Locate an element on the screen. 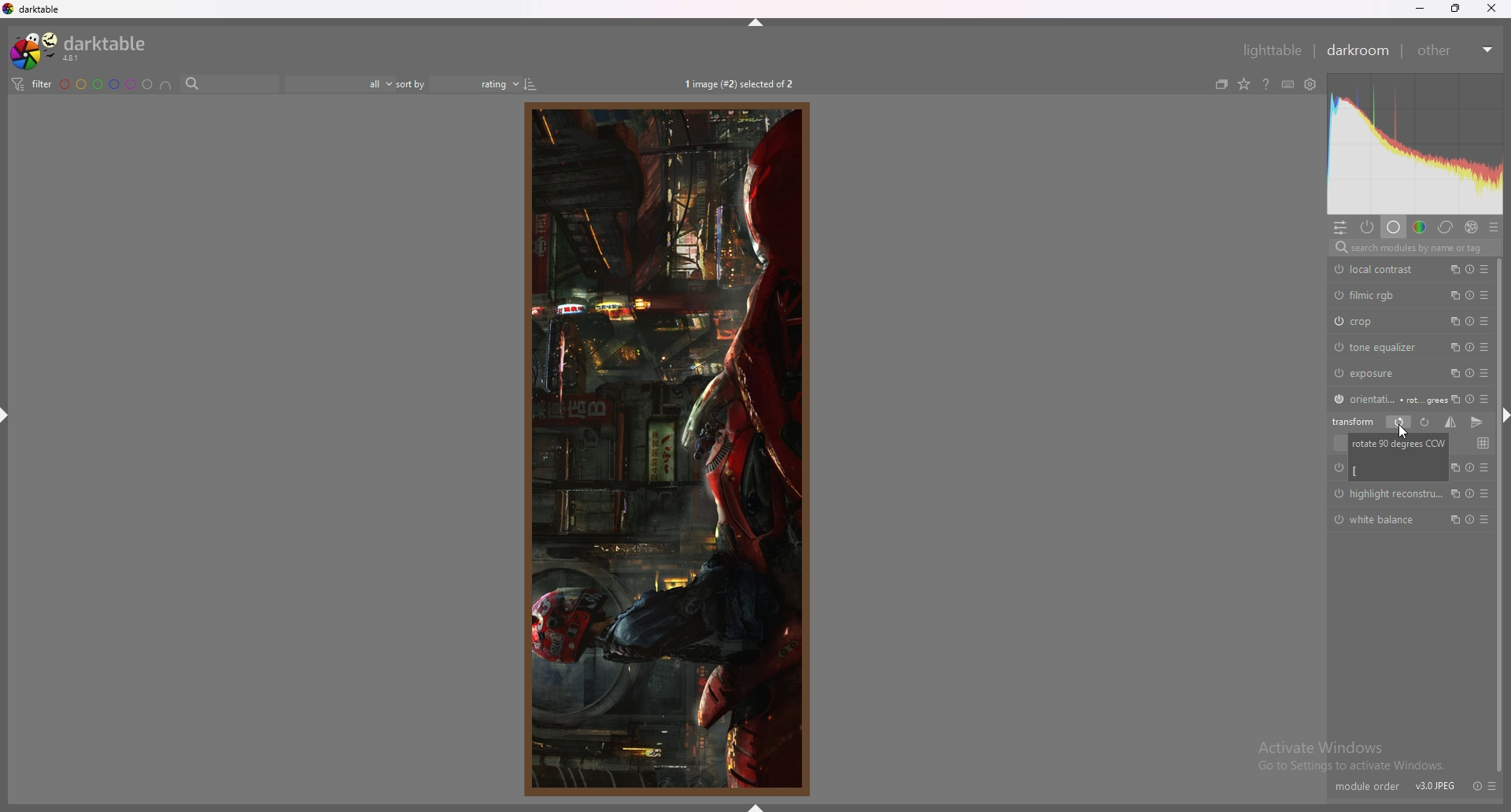 The image size is (1511, 812). keyboard shortcuts is located at coordinates (1288, 84).